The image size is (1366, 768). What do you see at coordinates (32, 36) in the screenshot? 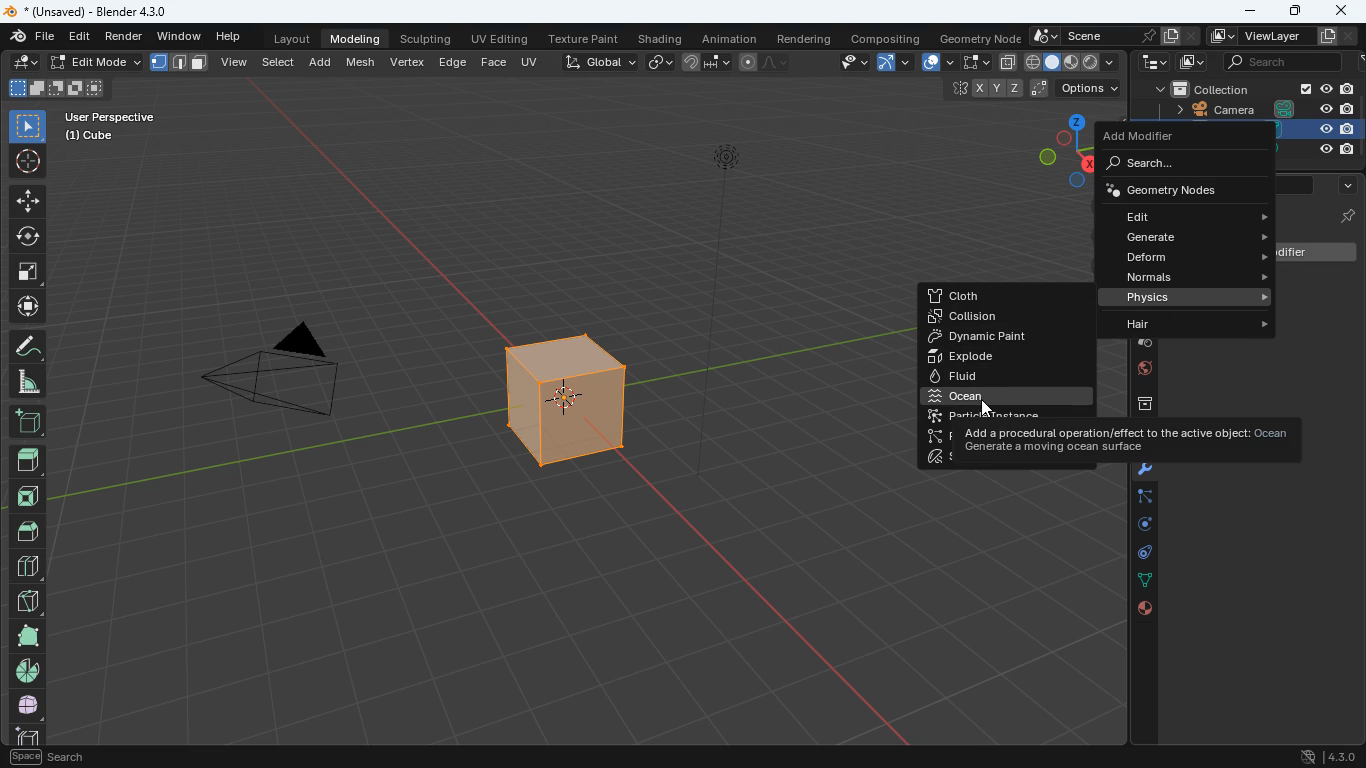
I see `file` at bounding box center [32, 36].